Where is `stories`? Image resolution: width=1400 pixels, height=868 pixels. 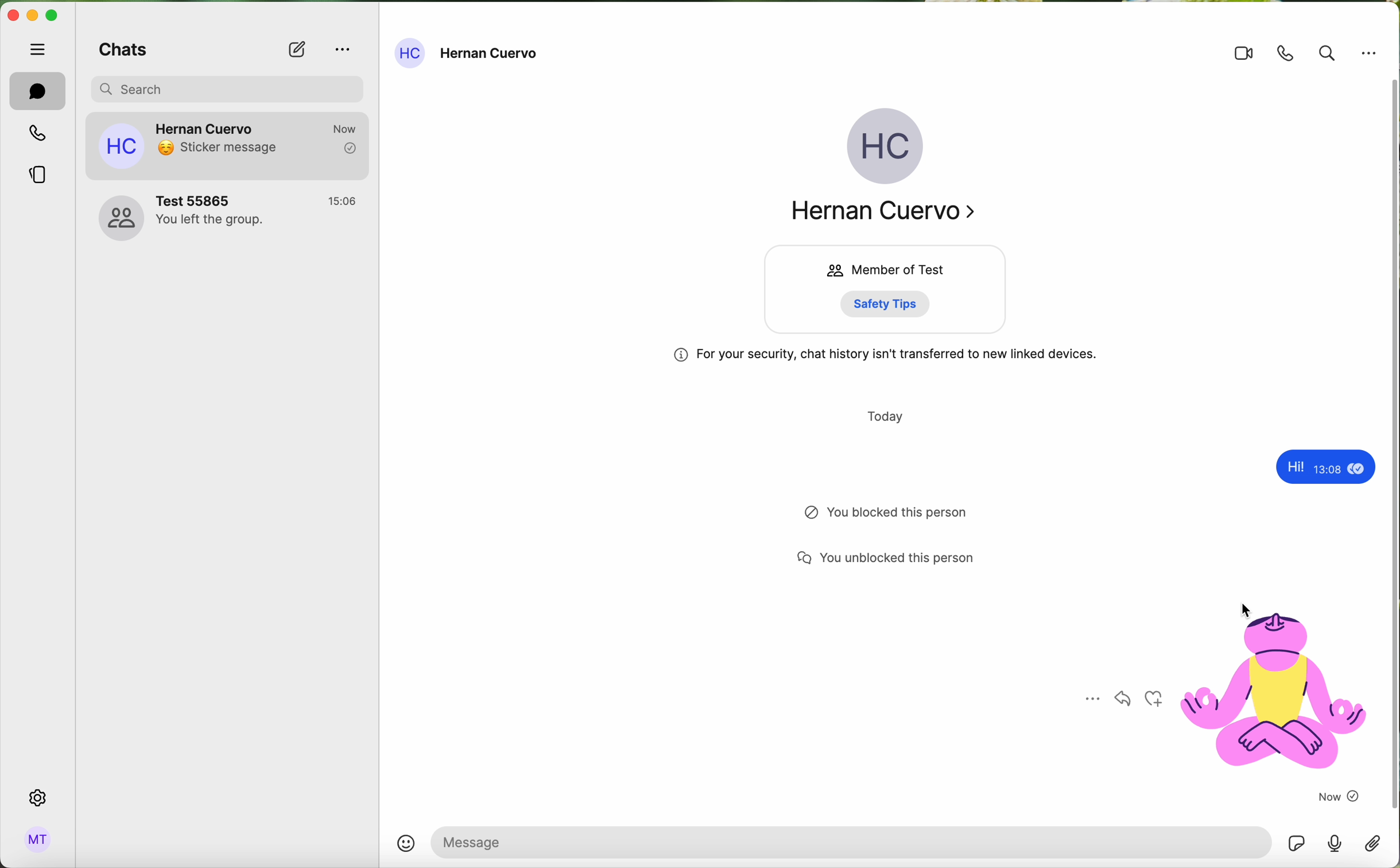 stories is located at coordinates (38, 178).